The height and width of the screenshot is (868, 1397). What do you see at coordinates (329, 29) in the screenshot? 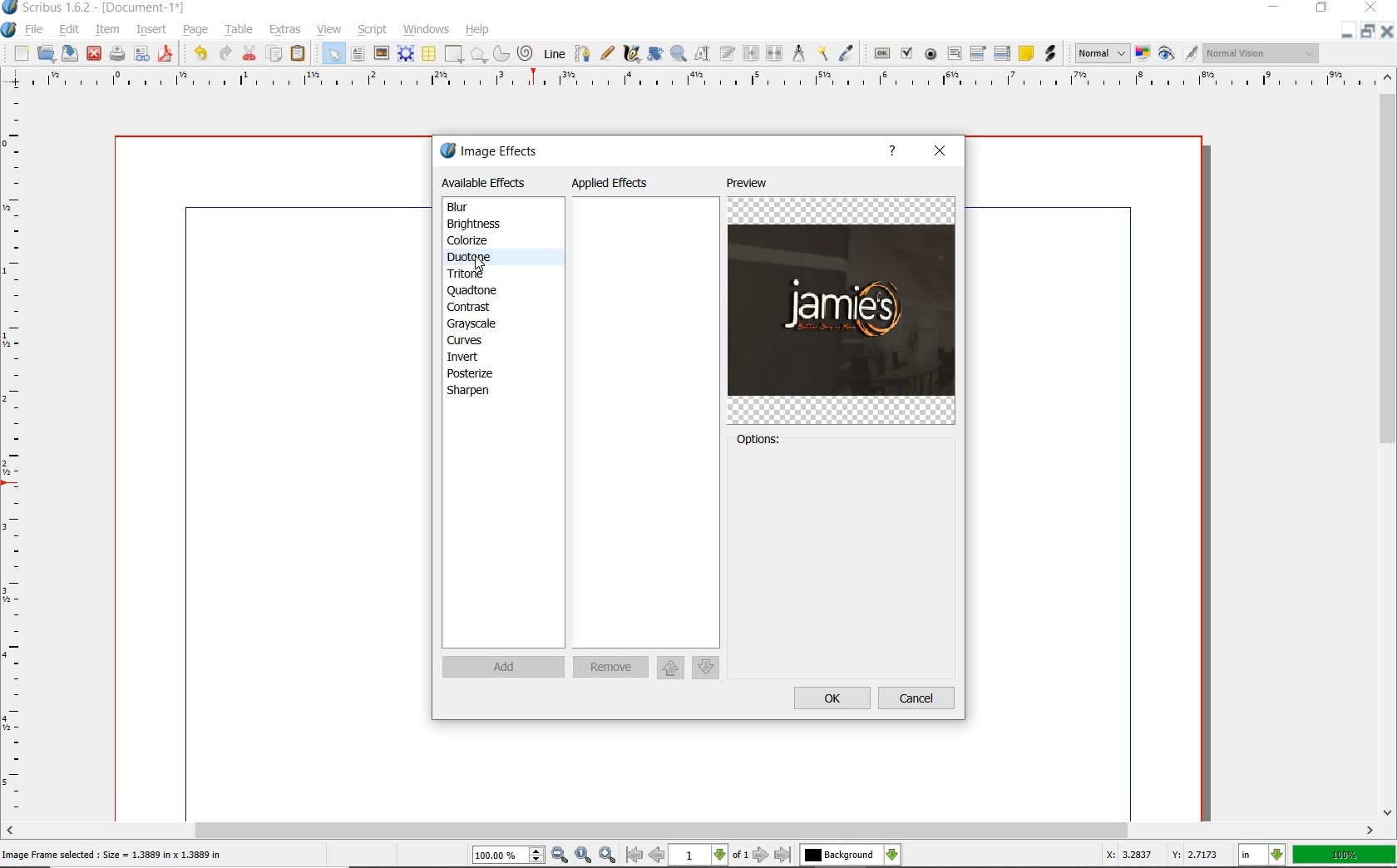
I see `view` at bounding box center [329, 29].